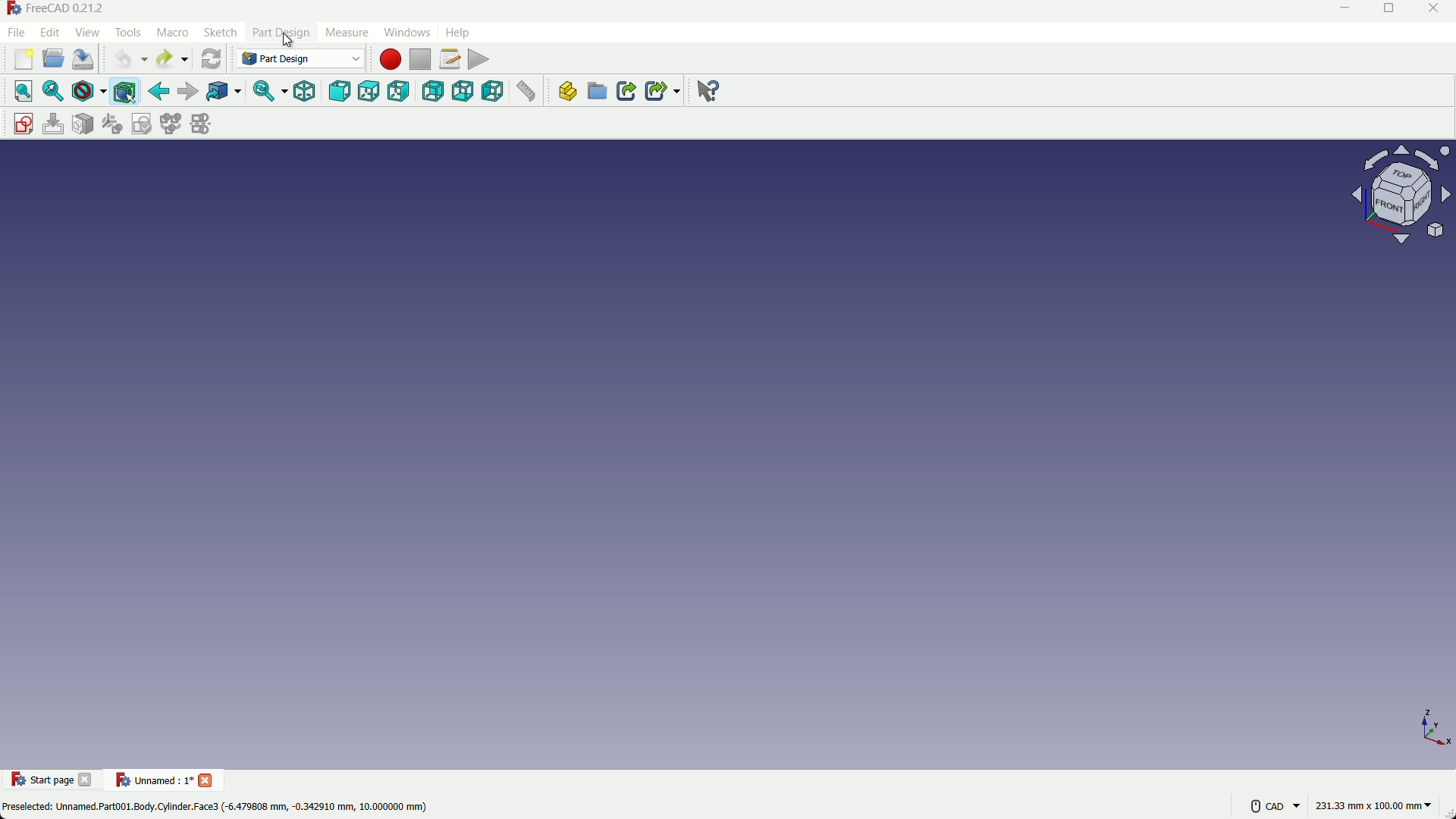  I want to click on Preselected : Unnamed.Part001.Body.Cylinder.Face3 (-6.479808 mm, -0.342910 mm, 10.000000 mm), so click(219, 810).